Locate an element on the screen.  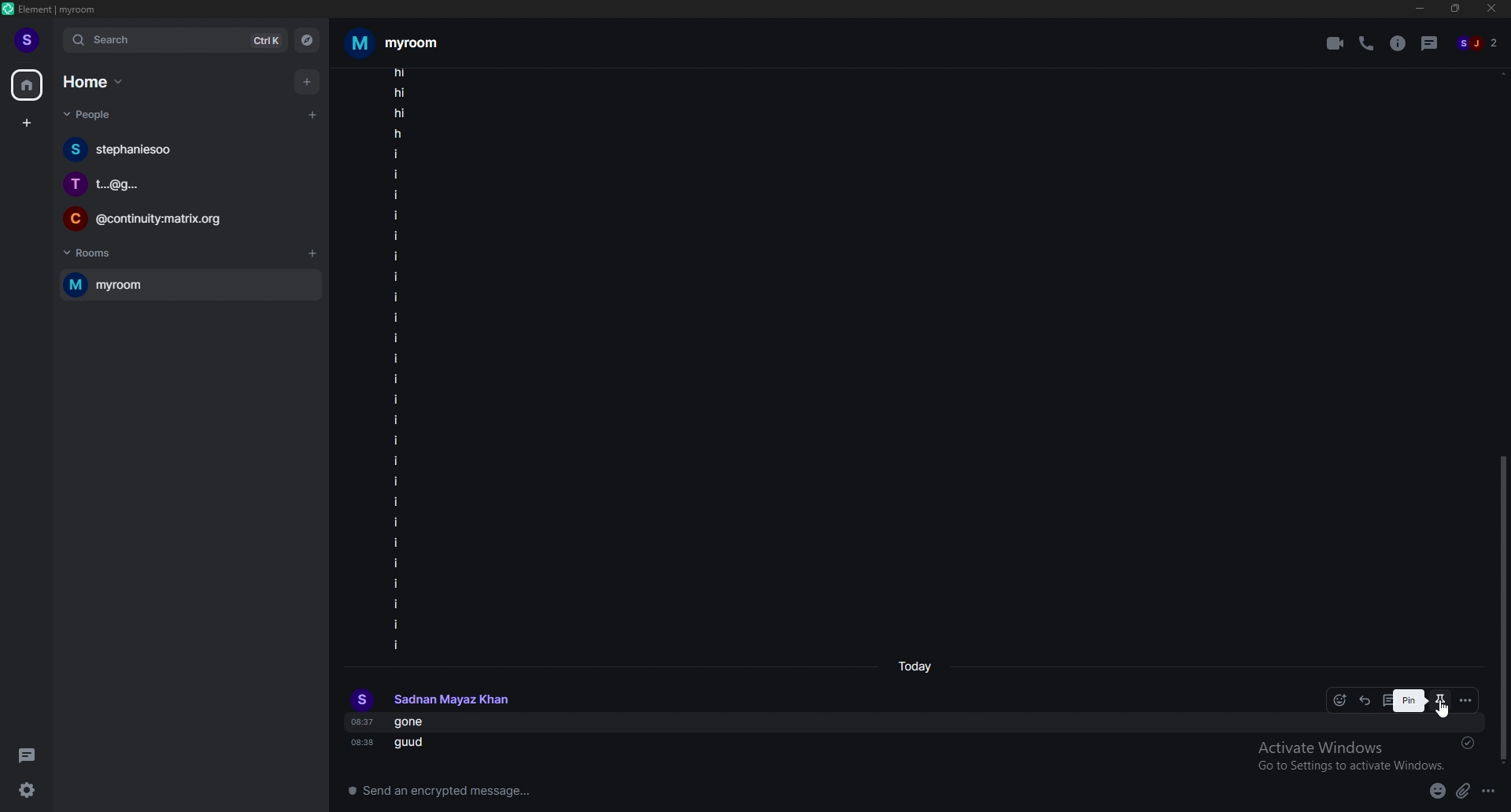
people is located at coordinates (97, 116).